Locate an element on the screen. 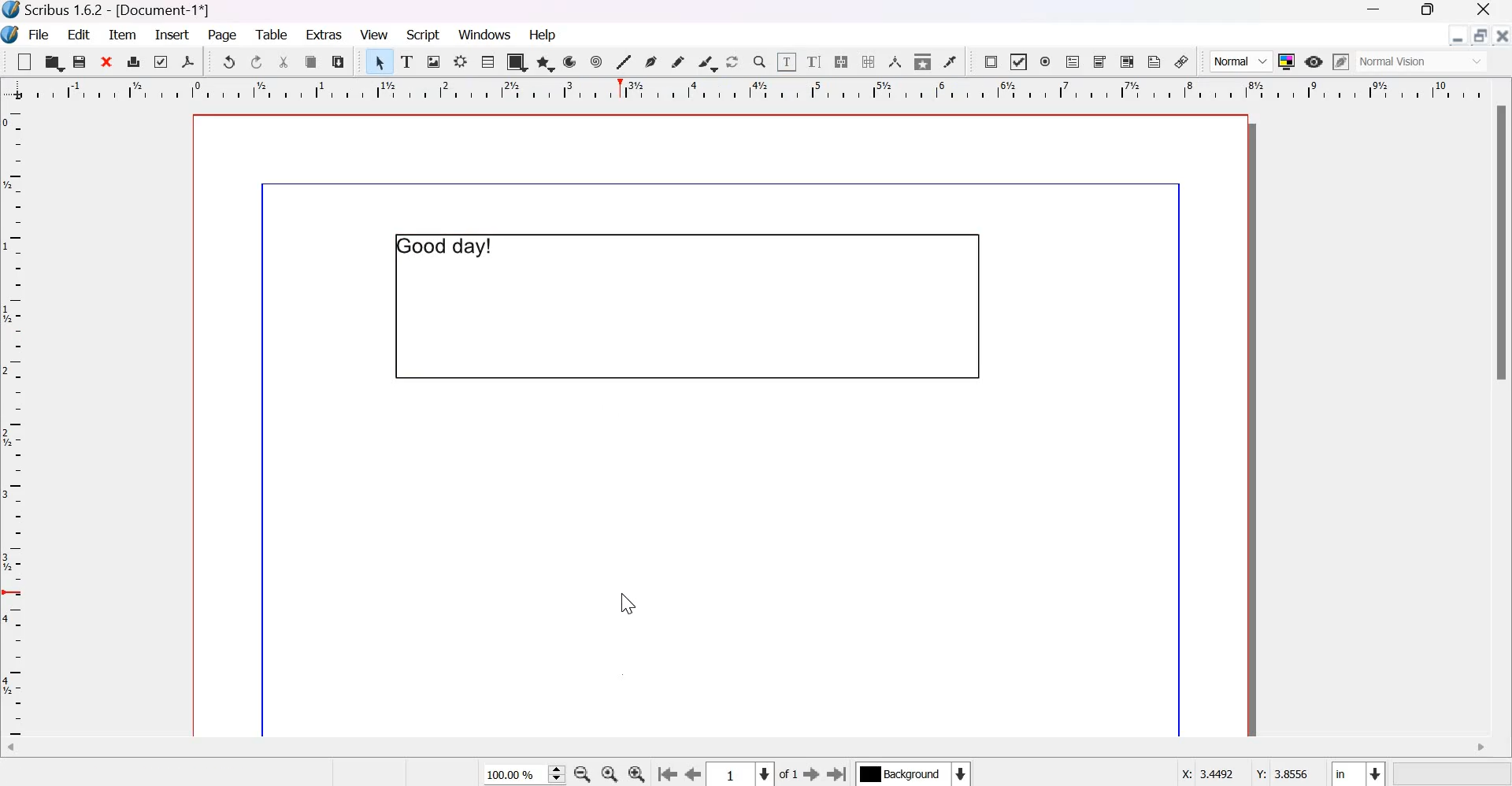 The image size is (1512, 786). close is located at coordinates (108, 61).